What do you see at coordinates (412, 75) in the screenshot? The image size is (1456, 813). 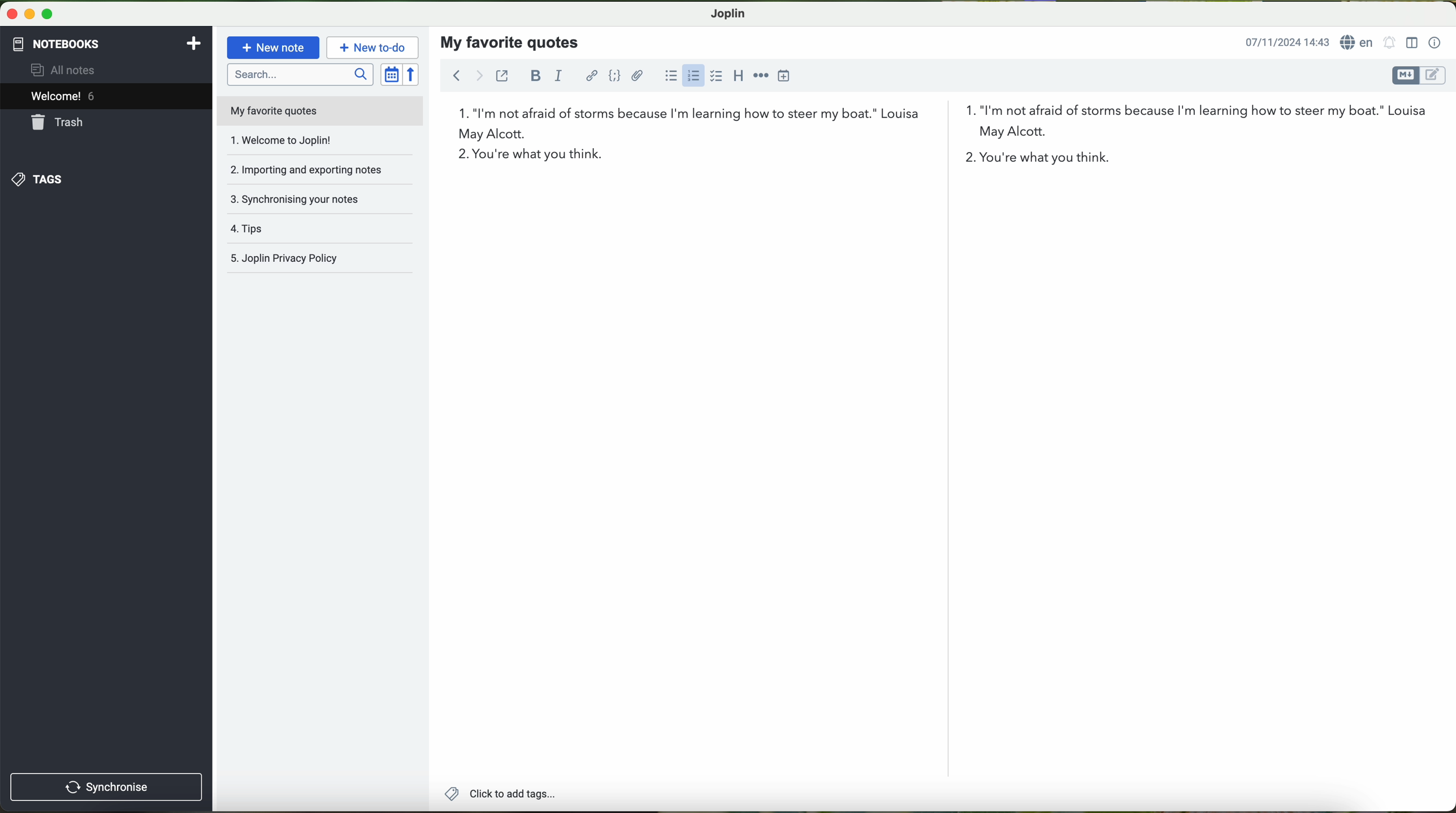 I see `reverse sort order` at bounding box center [412, 75].